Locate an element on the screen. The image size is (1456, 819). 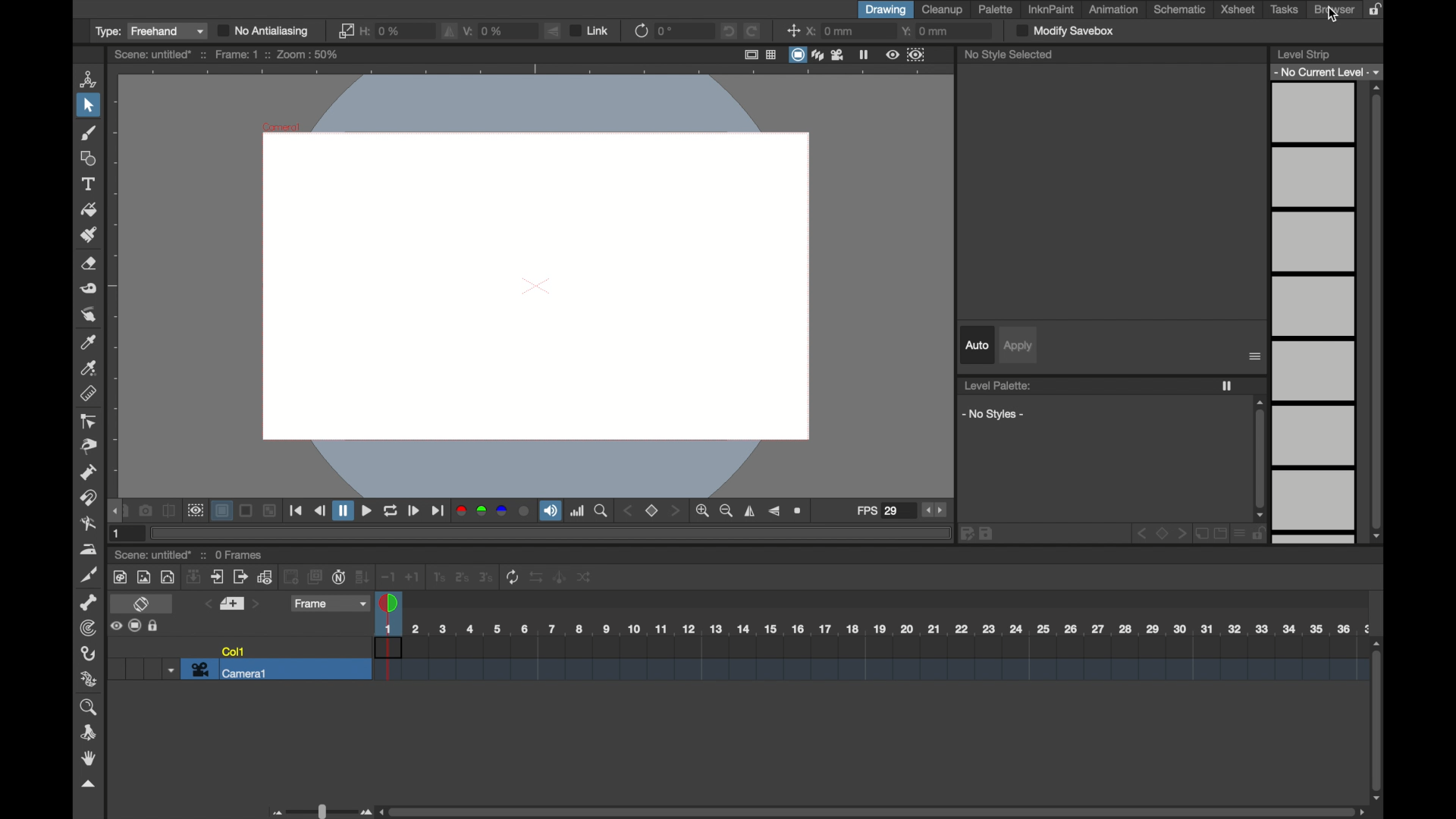
histogram is located at coordinates (576, 511).